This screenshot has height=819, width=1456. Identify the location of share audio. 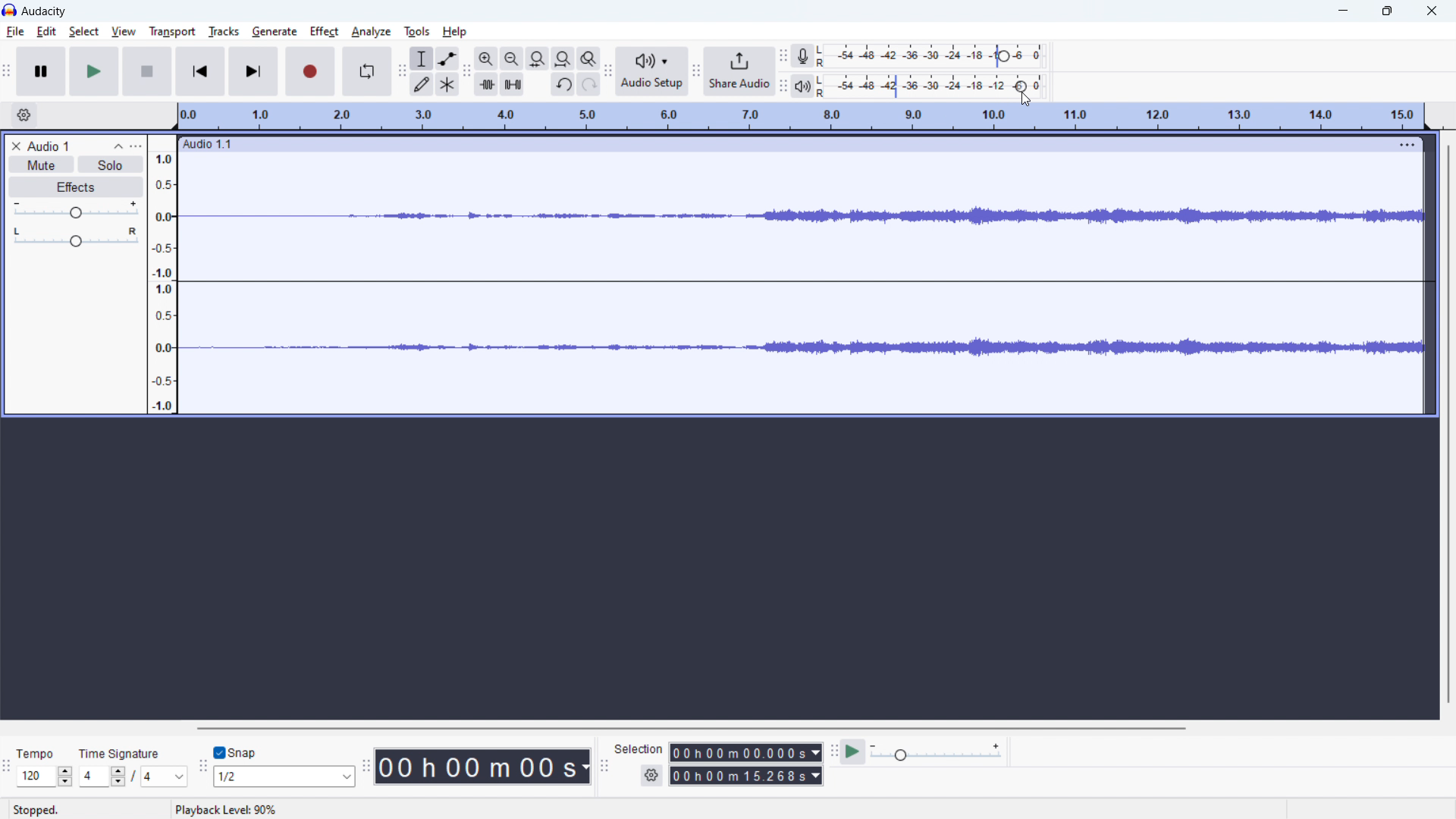
(739, 71).